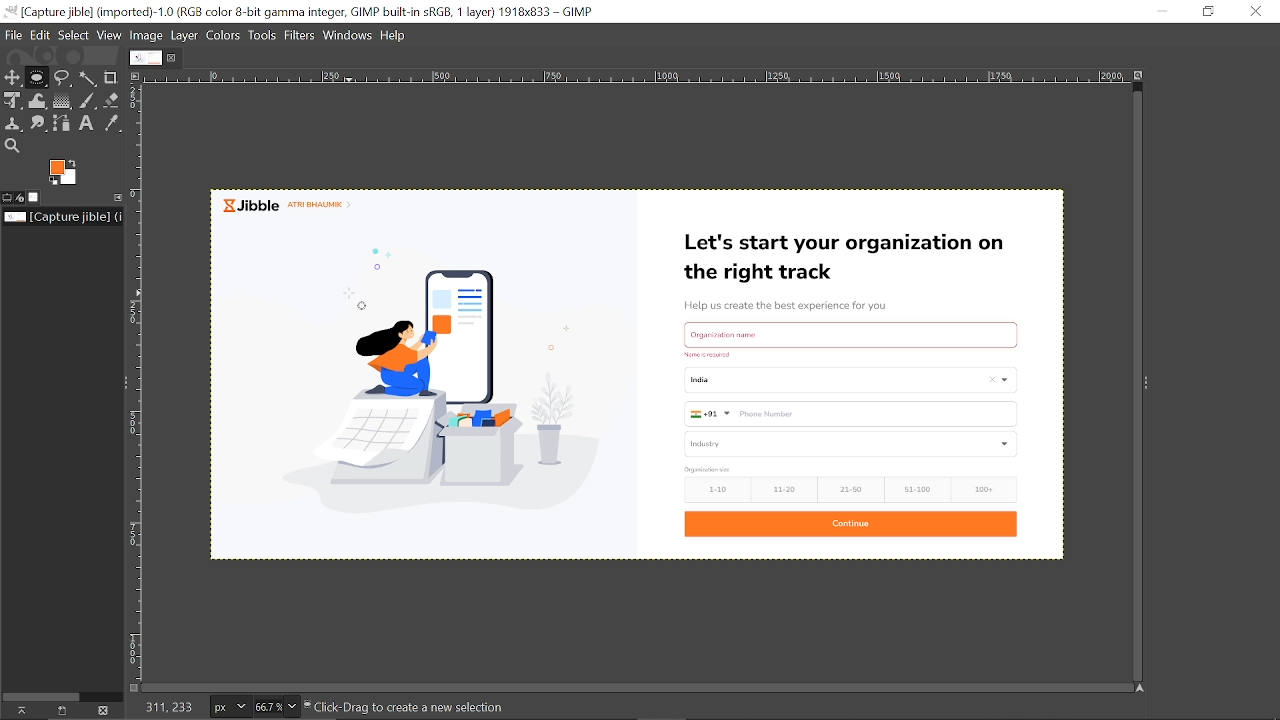 The width and height of the screenshot is (1280, 720). What do you see at coordinates (74, 34) in the screenshot?
I see `Select` at bounding box center [74, 34].